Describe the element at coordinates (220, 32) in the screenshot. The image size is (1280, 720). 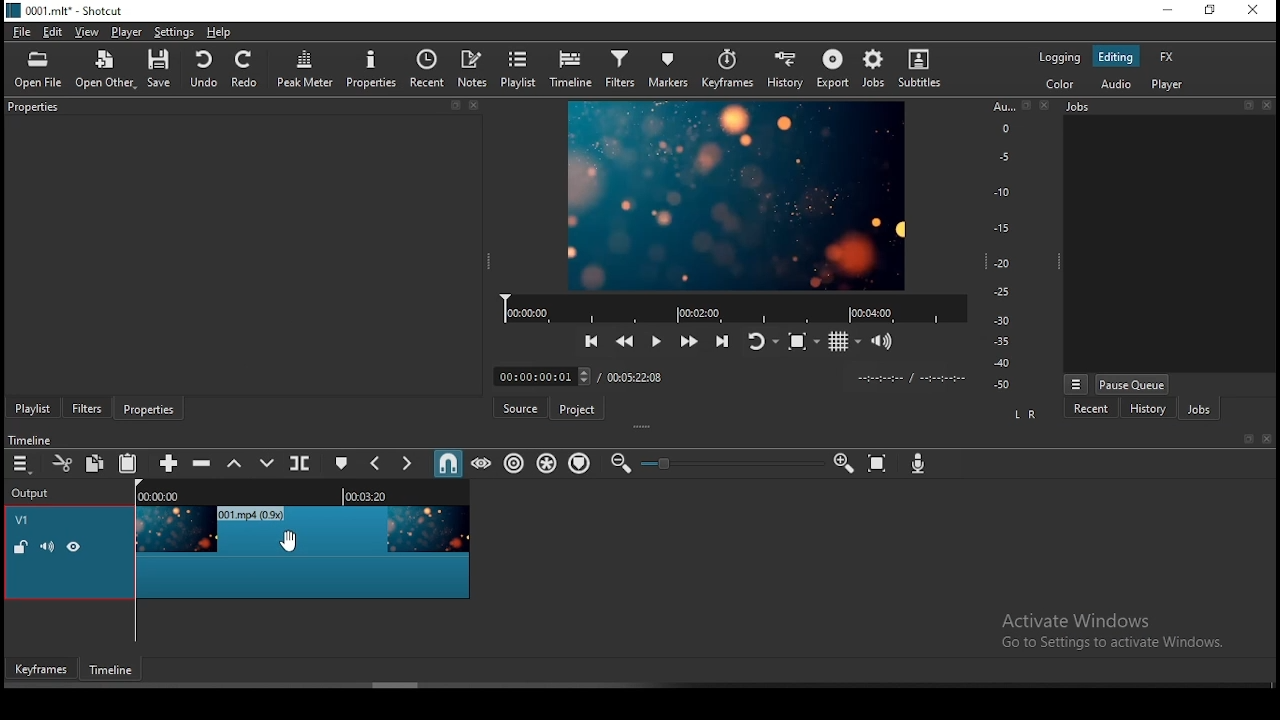
I see `help` at that location.